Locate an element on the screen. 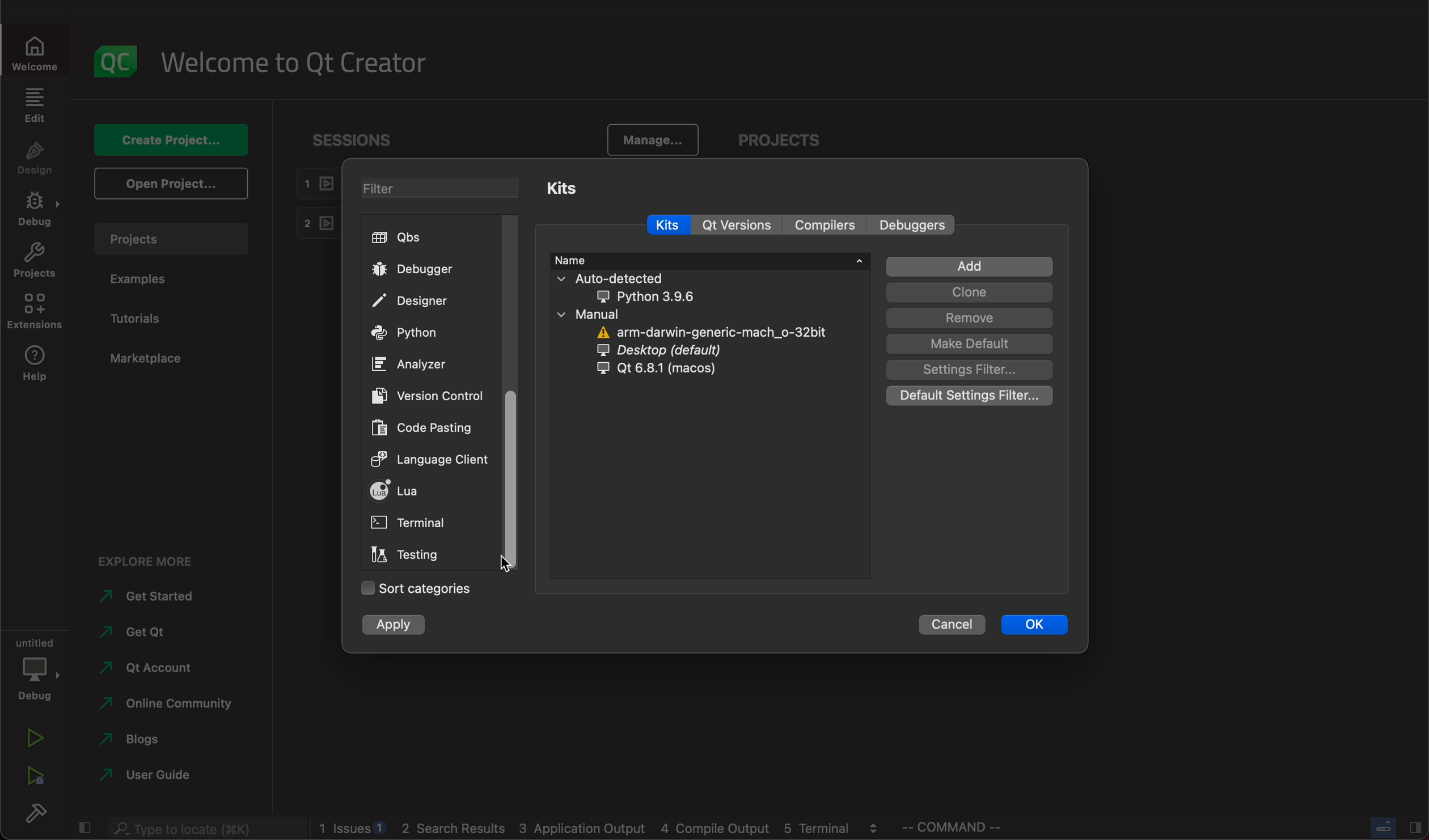 This screenshot has width=1429, height=840. filter is located at coordinates (965, 370).